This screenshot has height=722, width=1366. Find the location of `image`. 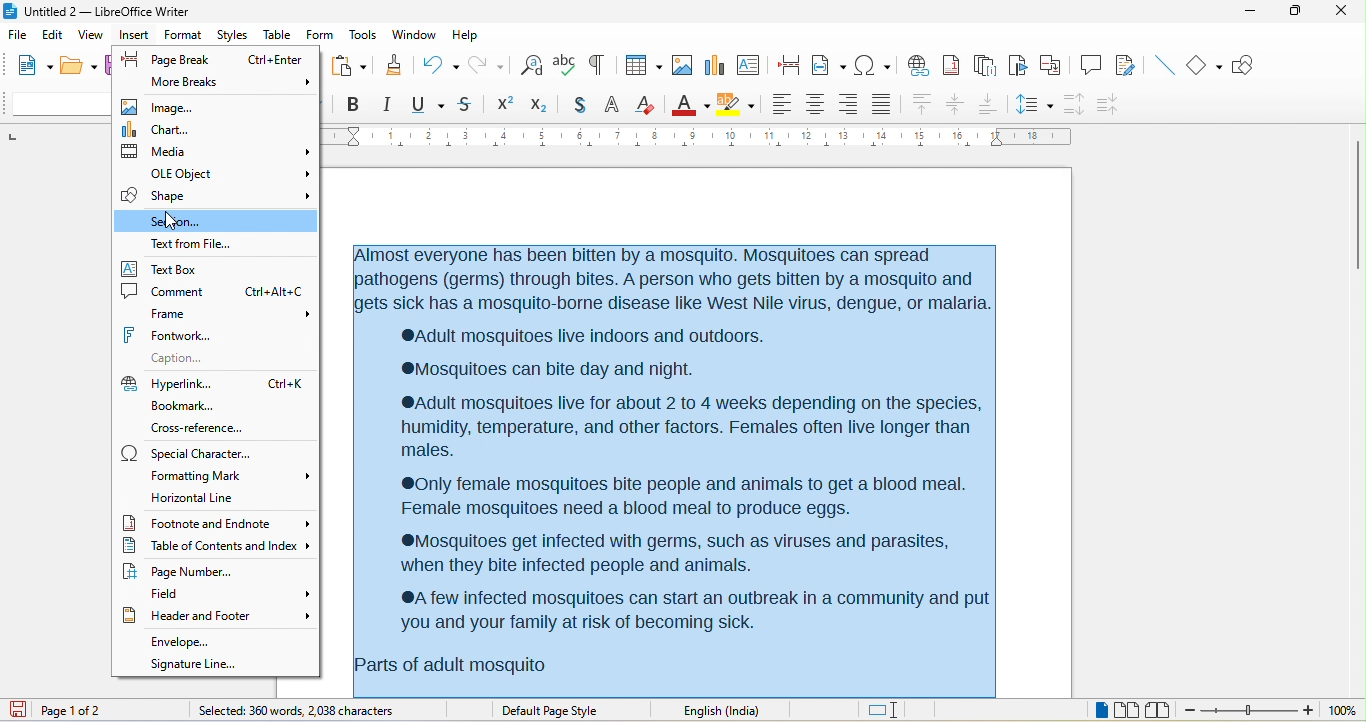

image is located at coordinates (213, 106).